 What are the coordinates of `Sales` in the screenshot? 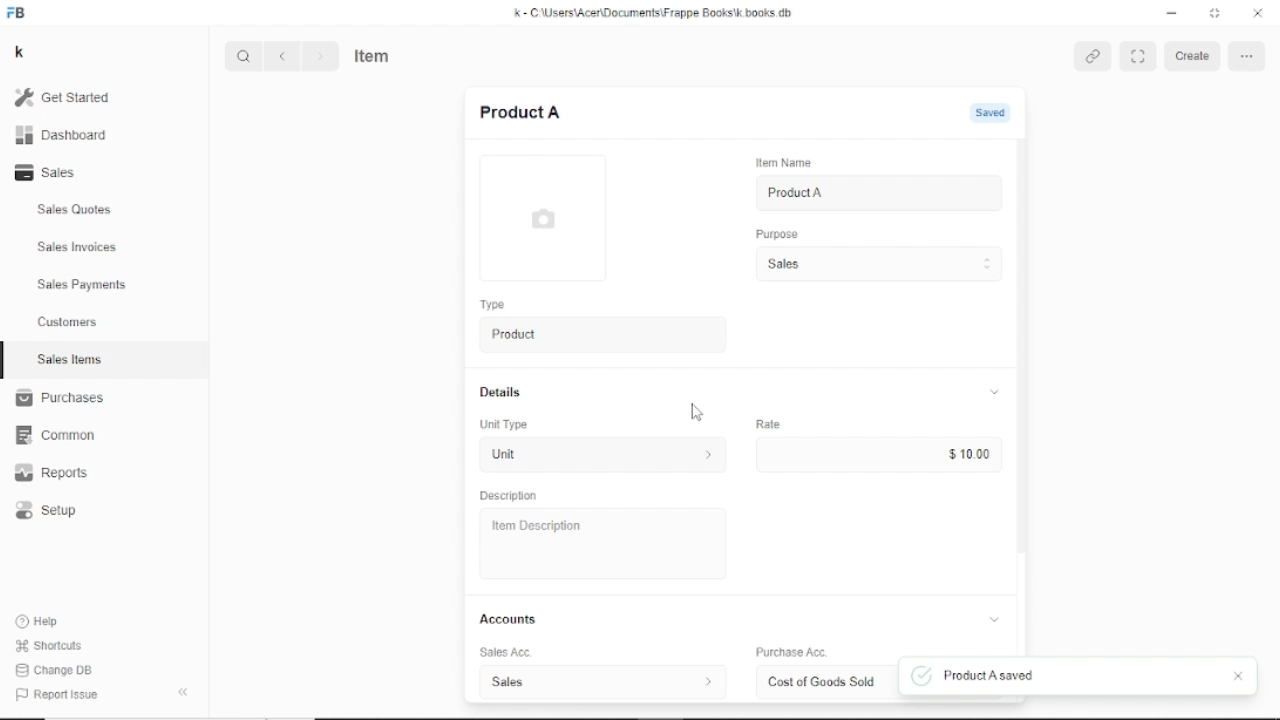 It's located at (877, 264).